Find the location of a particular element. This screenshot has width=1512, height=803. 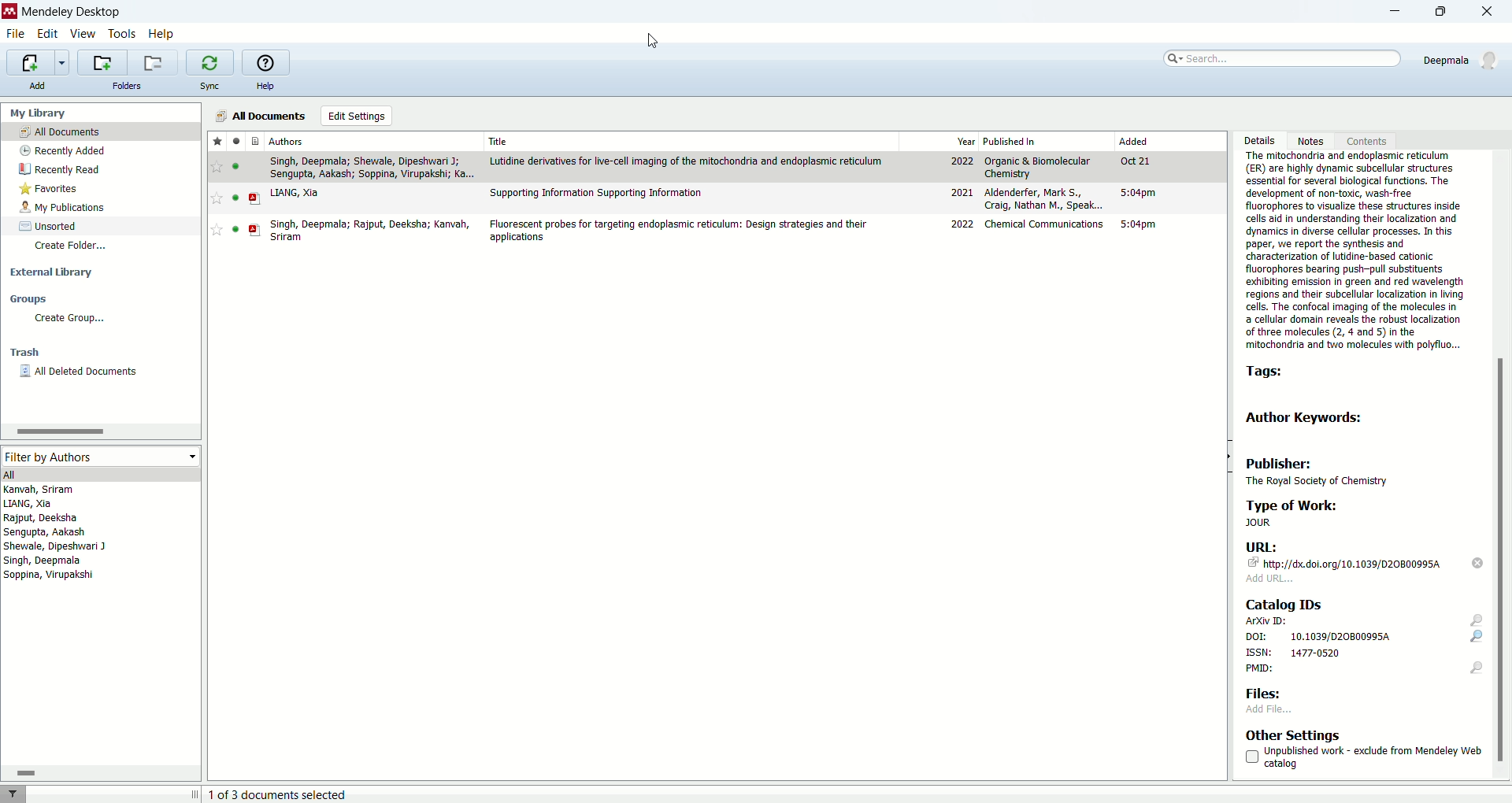

my publications is located at coordinates (64, 208).